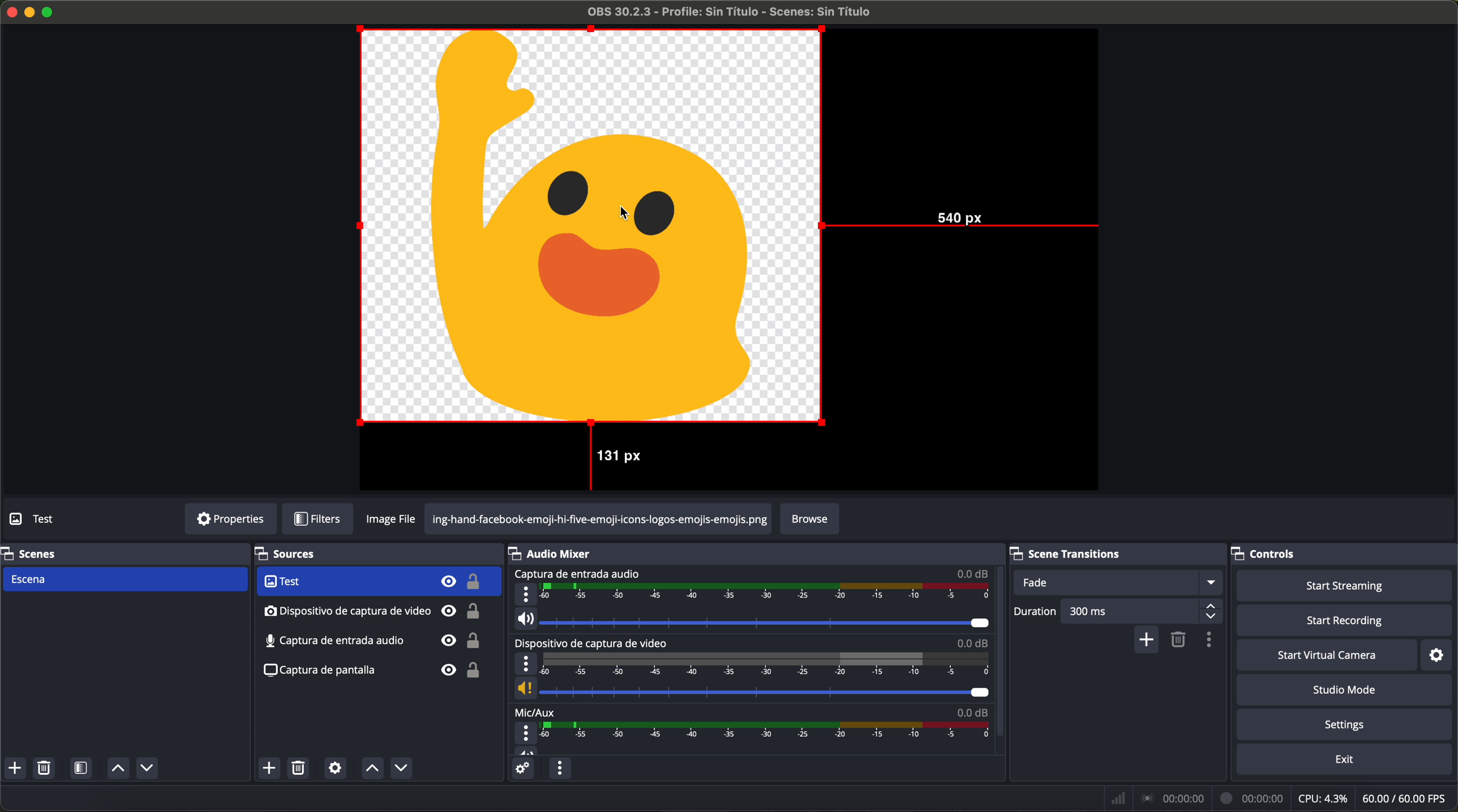 This screenshot has height=812, width=1458. I want to click on advanced audio properties, so click(522, 768).